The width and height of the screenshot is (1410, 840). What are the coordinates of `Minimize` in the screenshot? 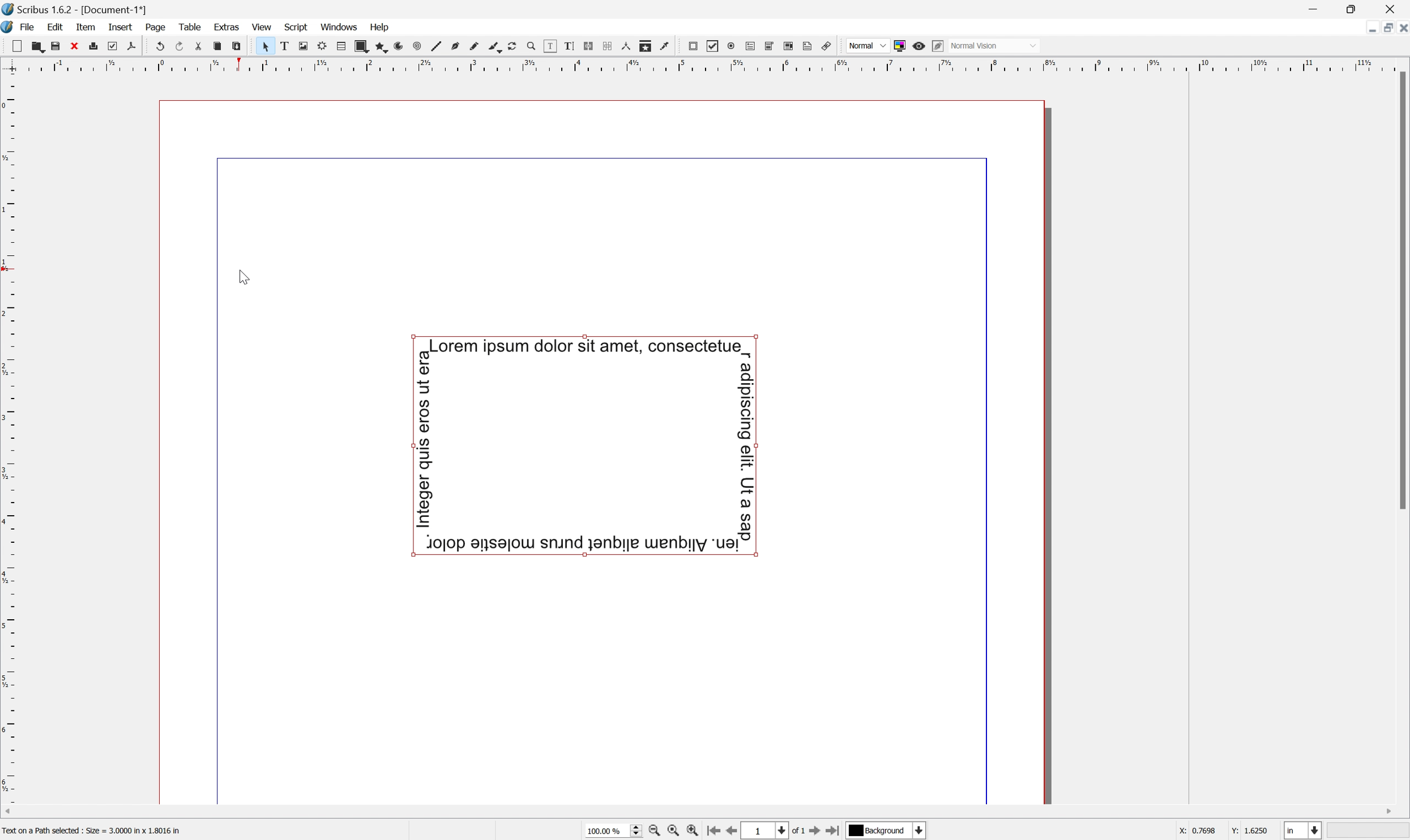 It's located at (1363, 27).